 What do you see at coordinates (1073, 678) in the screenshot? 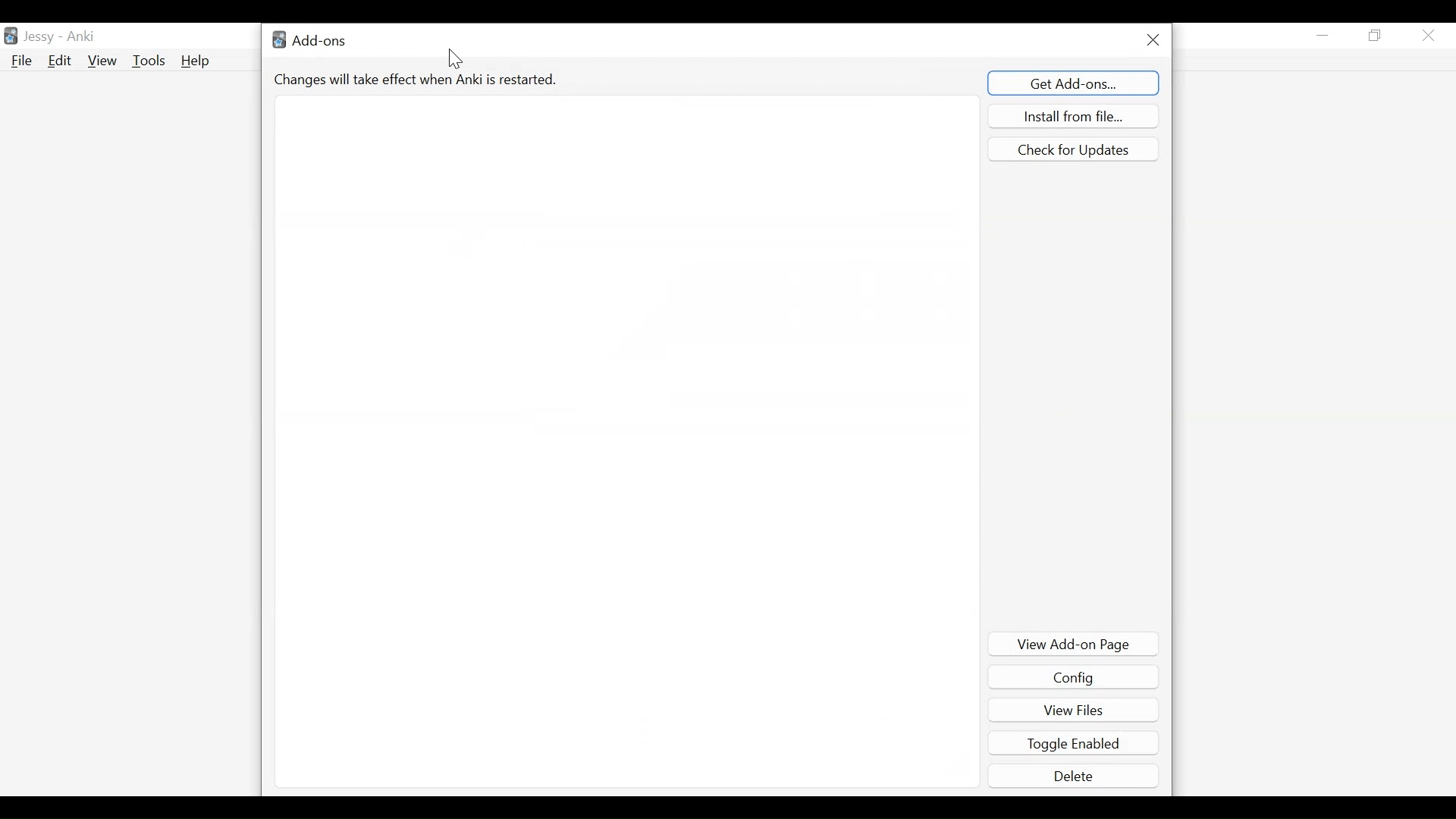
I see `Config` at bounding box center [1073, 678].